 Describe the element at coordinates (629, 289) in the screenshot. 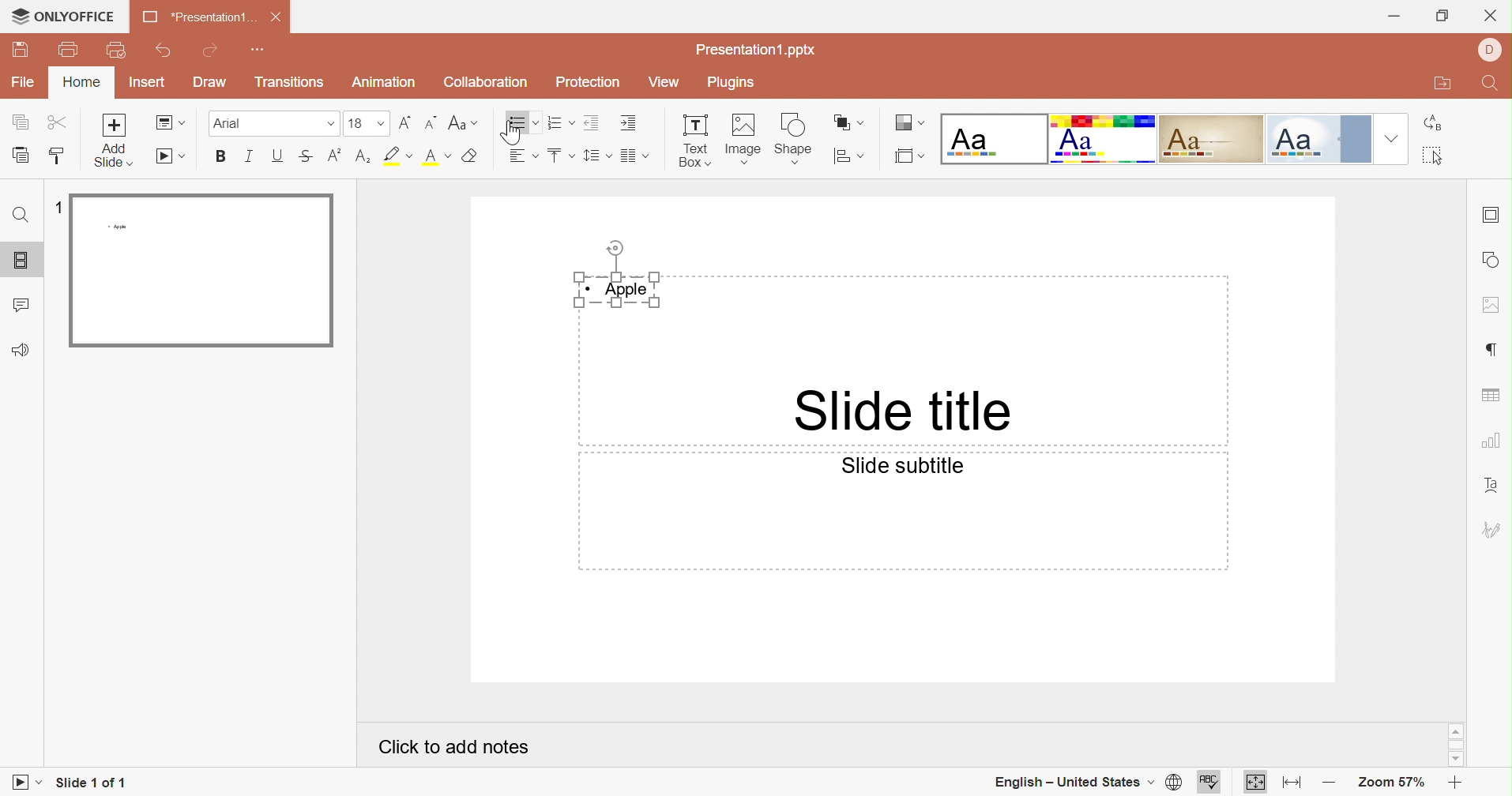

I see `Apple` at that location.